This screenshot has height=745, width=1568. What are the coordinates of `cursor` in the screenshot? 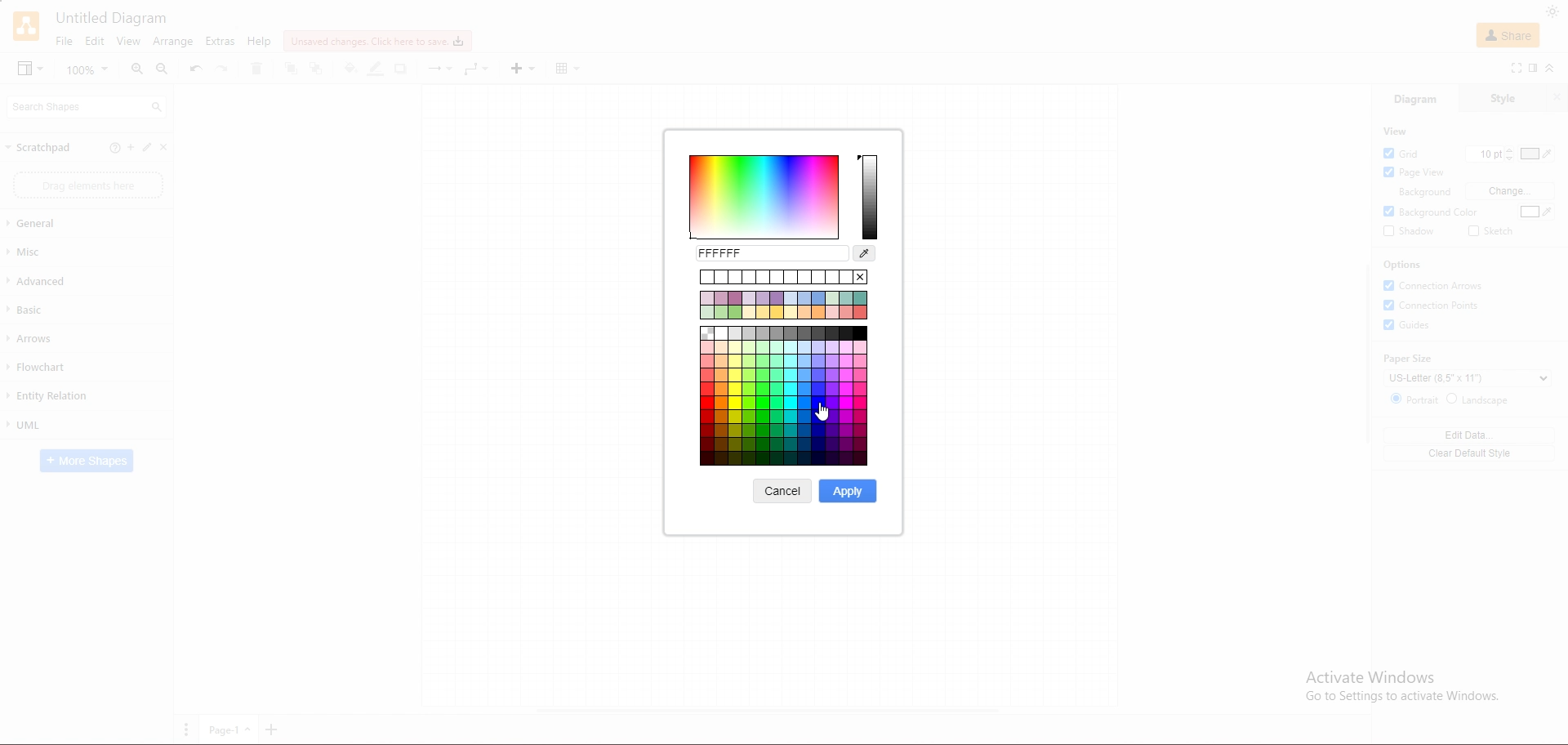 It's located at (822, 412).